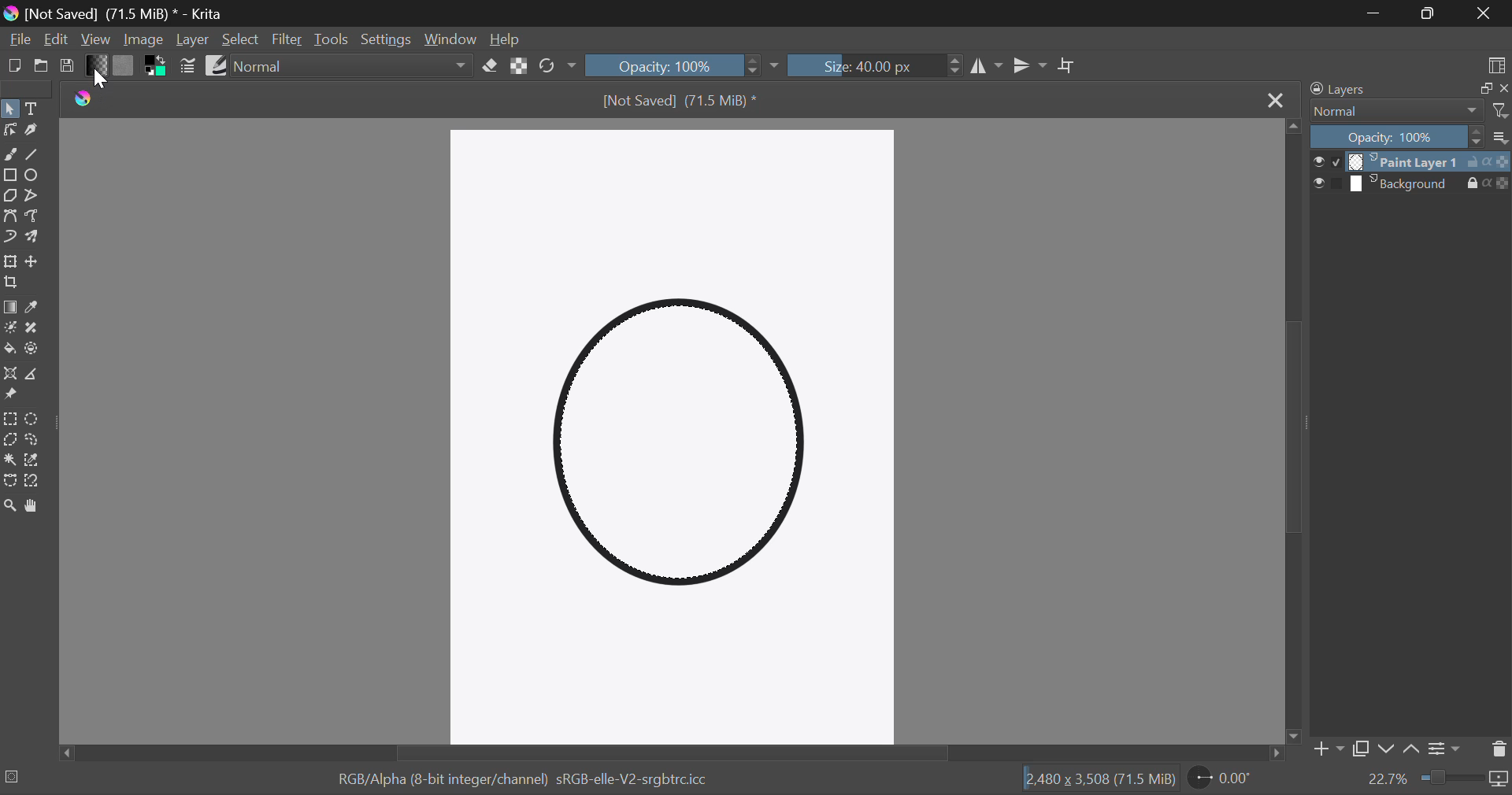 The height and width of the screenshot is (795, 1512). I want to click on Freehand, so click(9, 155).